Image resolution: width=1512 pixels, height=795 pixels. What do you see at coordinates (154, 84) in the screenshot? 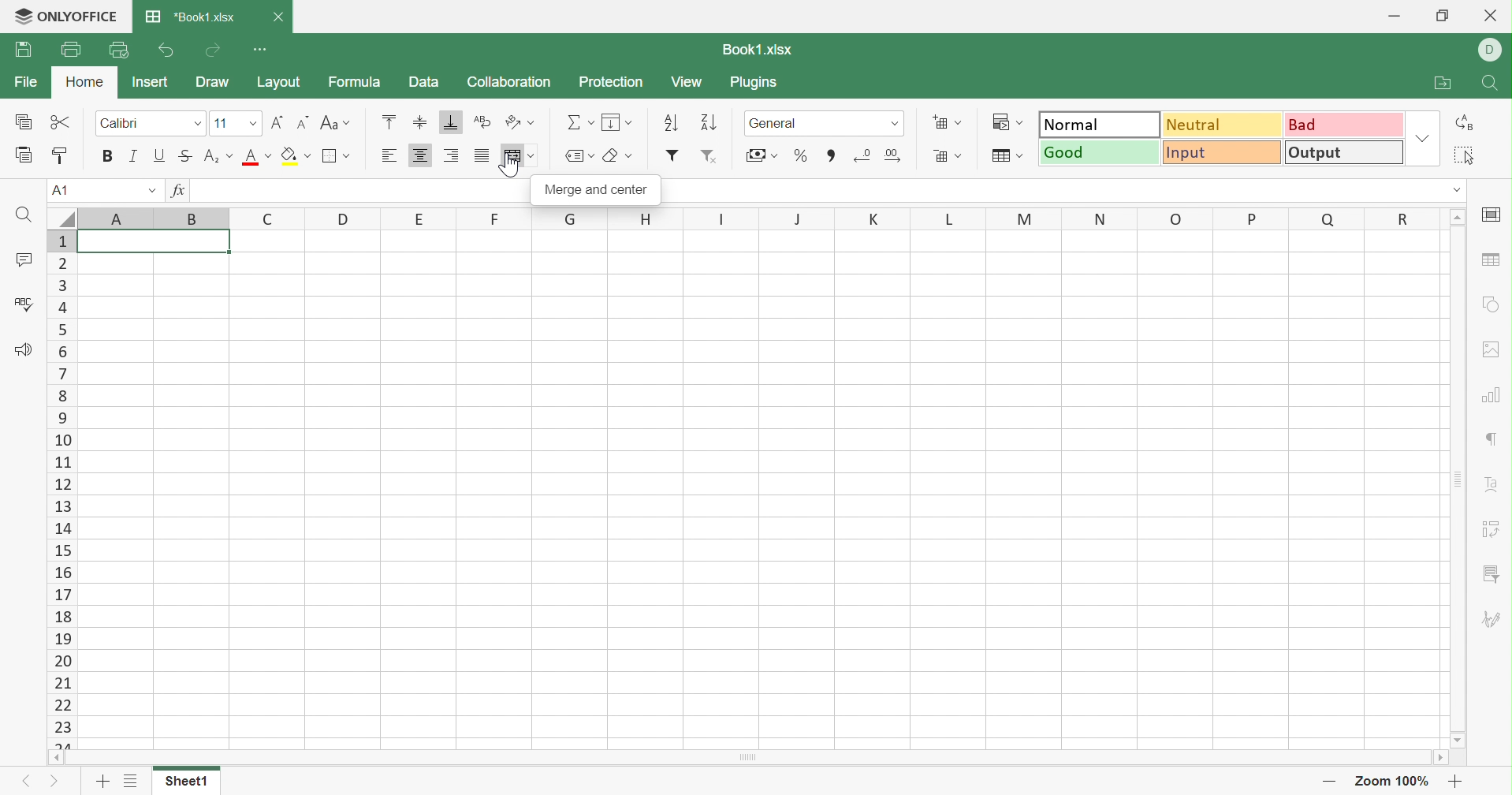
I see `Insert` at bounding box center [154, 84].